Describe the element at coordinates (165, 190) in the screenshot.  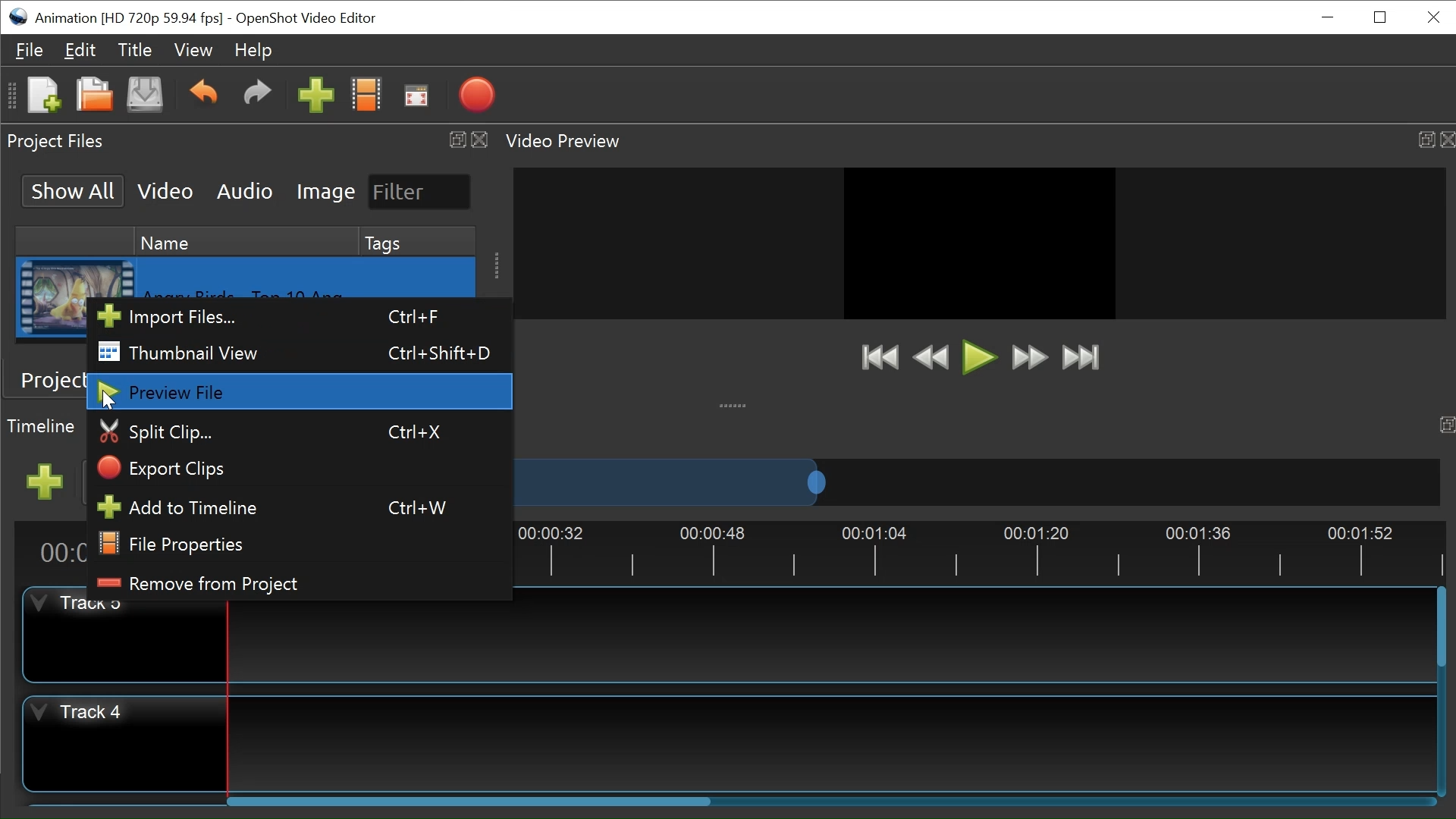
I see `Video` at that location.